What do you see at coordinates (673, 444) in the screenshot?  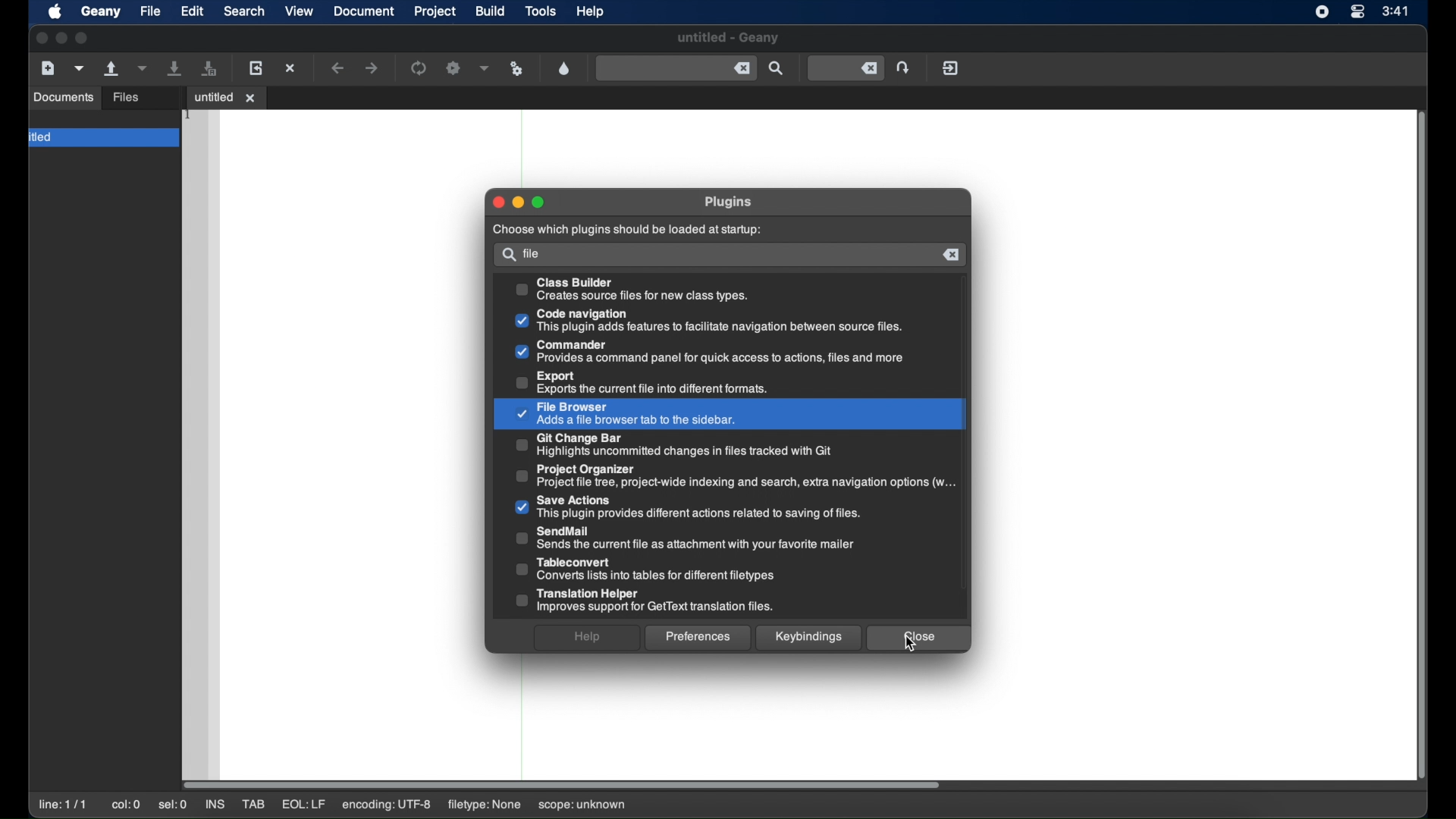 I see `git change bar` at bounding box center [673, 444].